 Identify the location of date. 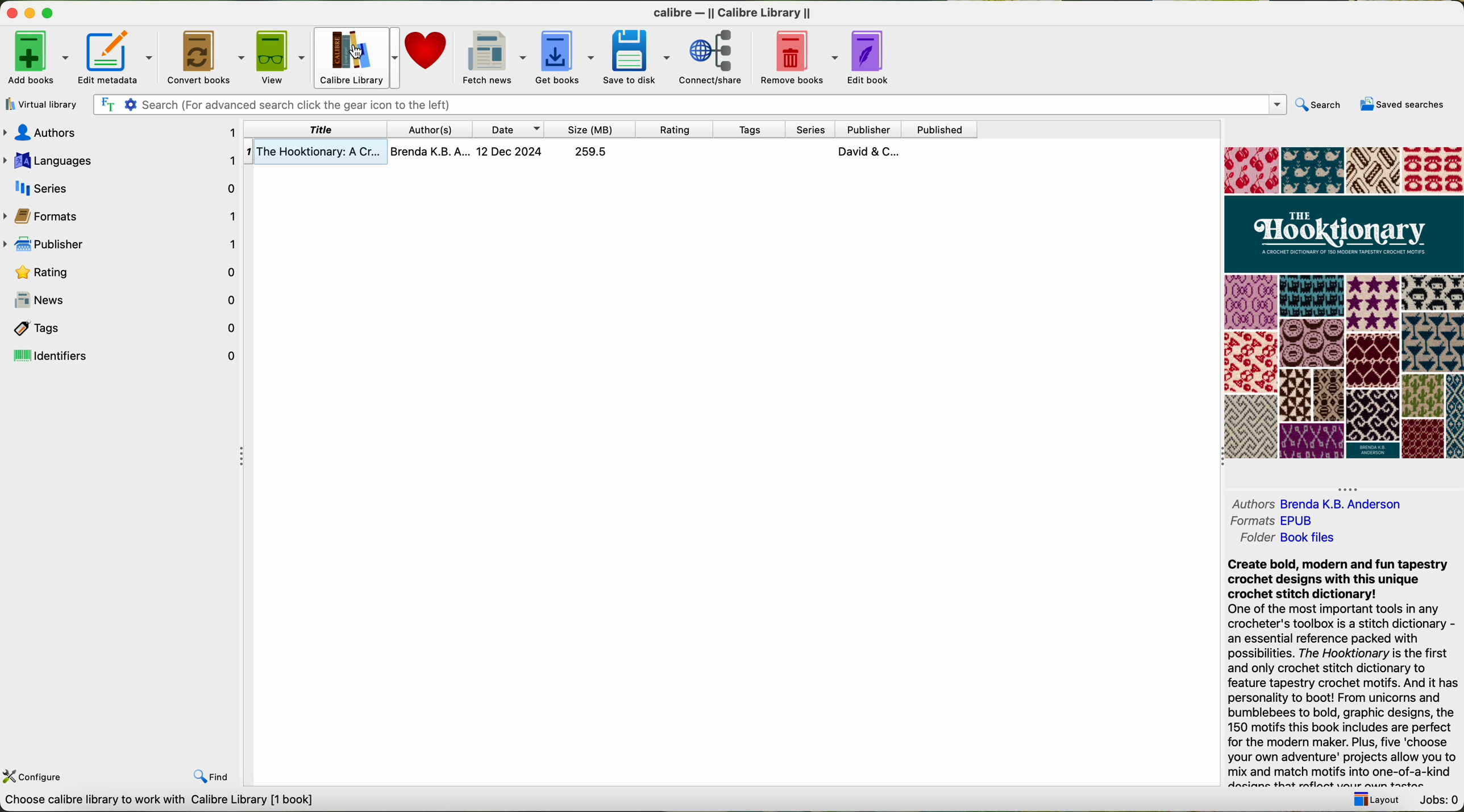
(513, 128).